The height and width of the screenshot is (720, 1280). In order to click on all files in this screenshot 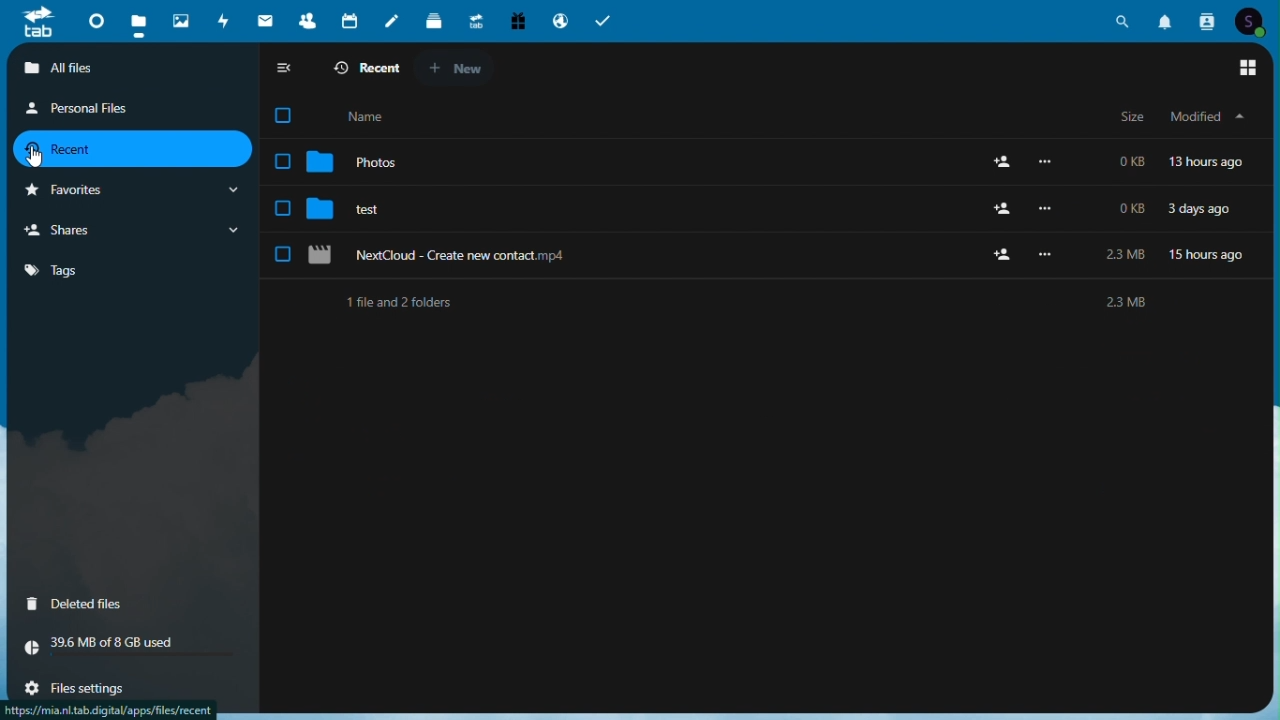, I will do `click(362, 71)`.